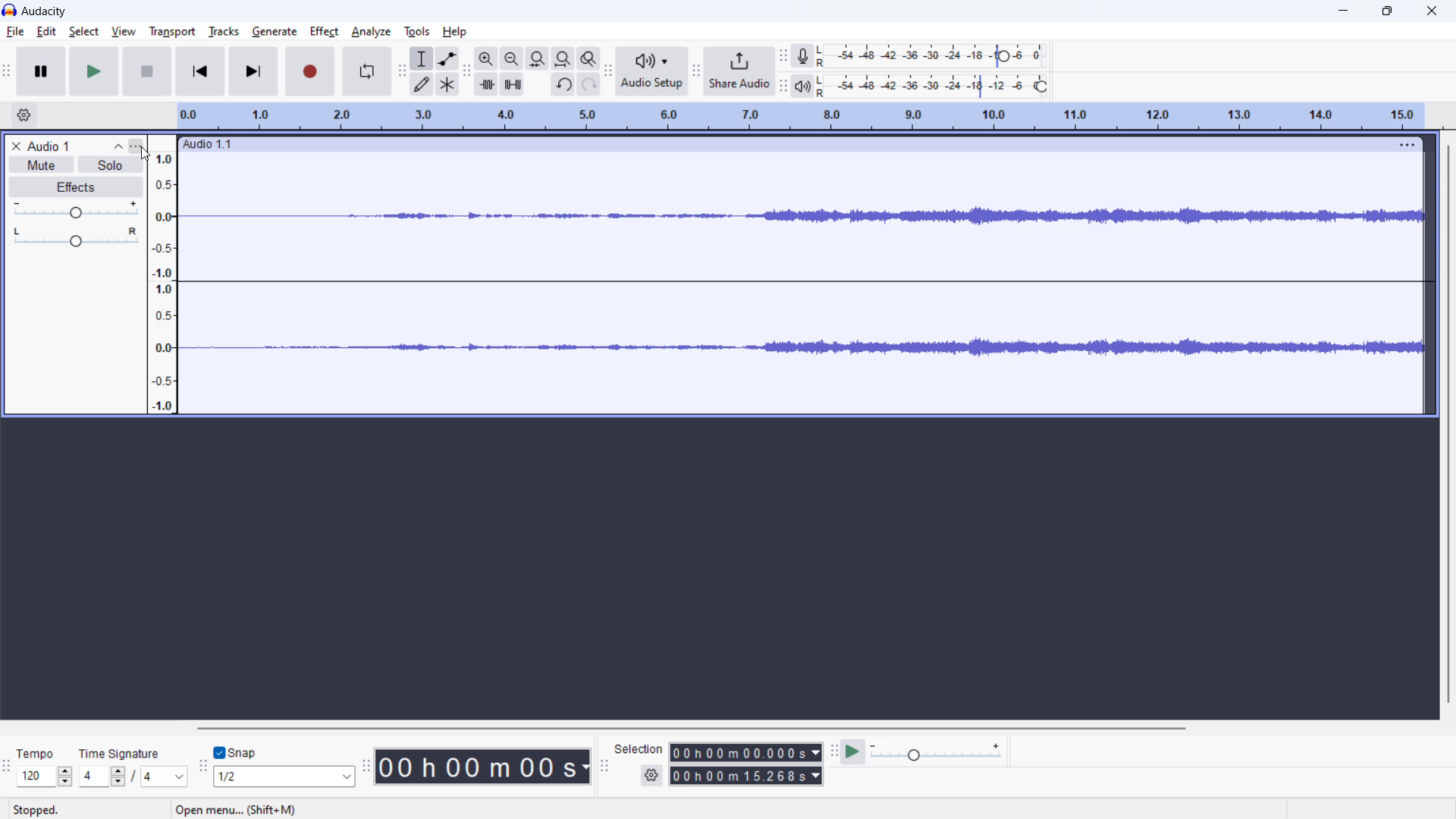  Describe the element at coordinates (802, 115) in the screenshot. I see `timeline` at that location.